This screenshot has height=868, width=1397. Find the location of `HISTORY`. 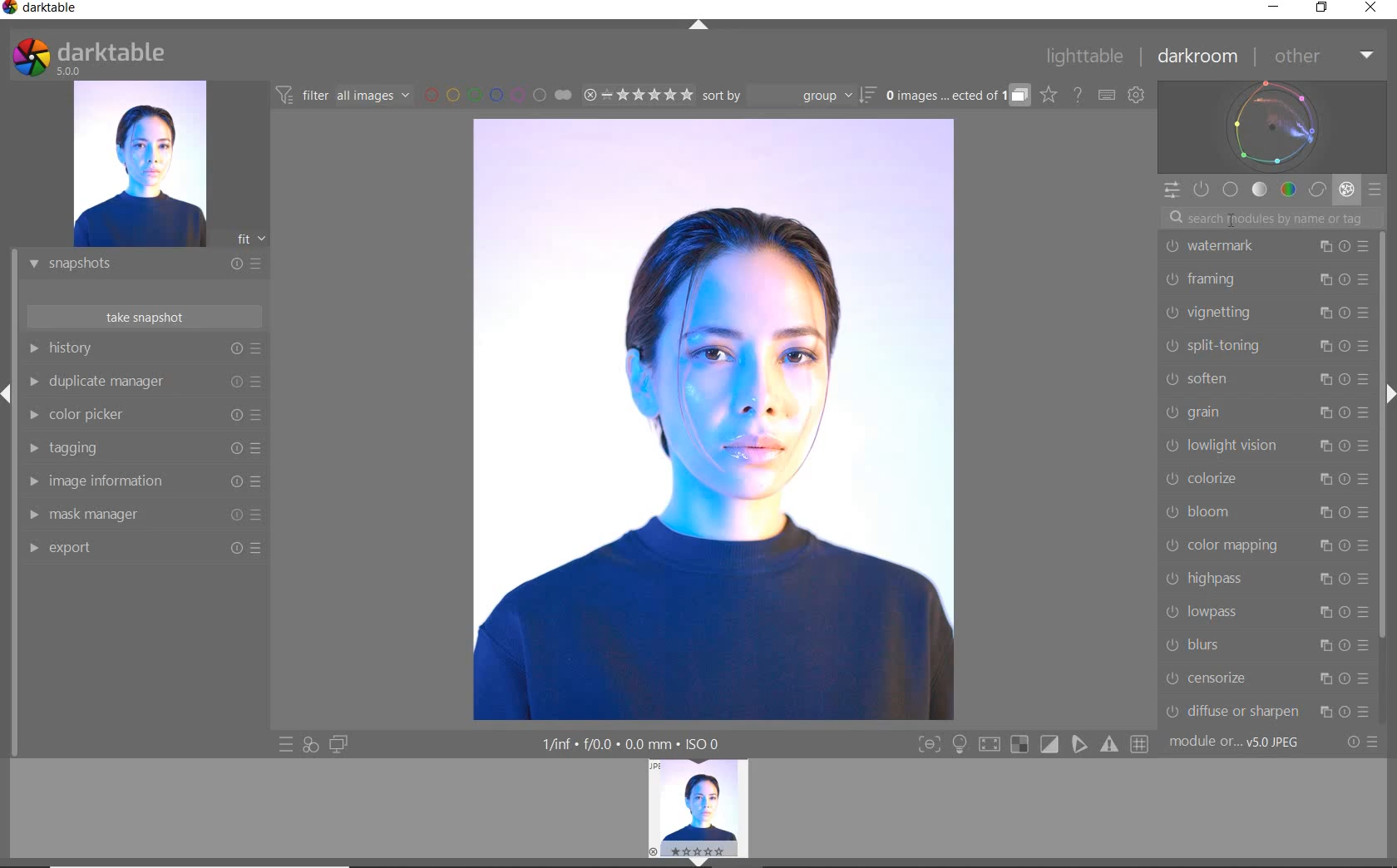

HISTORY is located at coordinates (146, 352).